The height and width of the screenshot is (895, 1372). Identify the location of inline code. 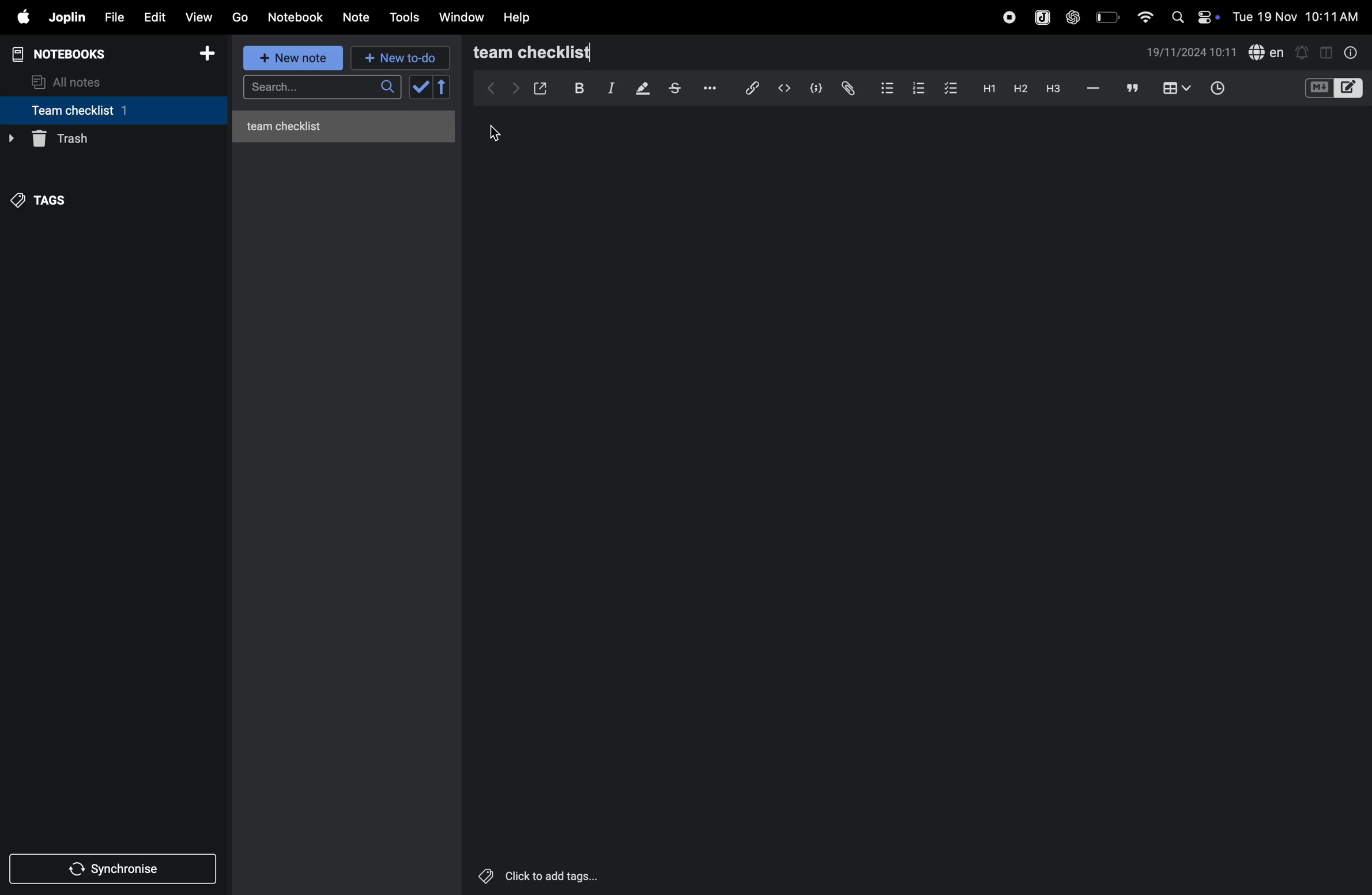
(784, 88).